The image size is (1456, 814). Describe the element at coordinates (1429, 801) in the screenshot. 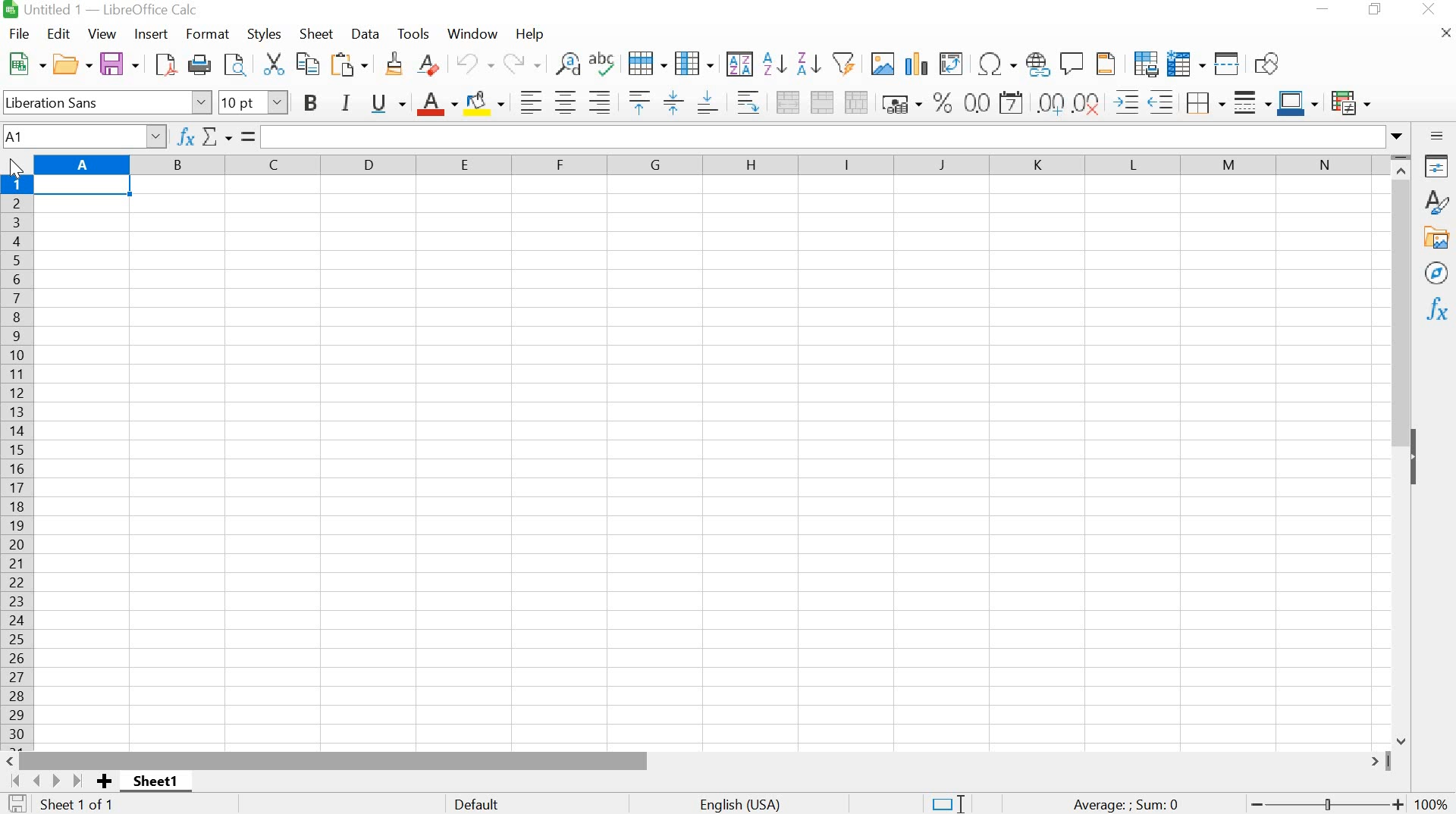

I see `100%` at that location.